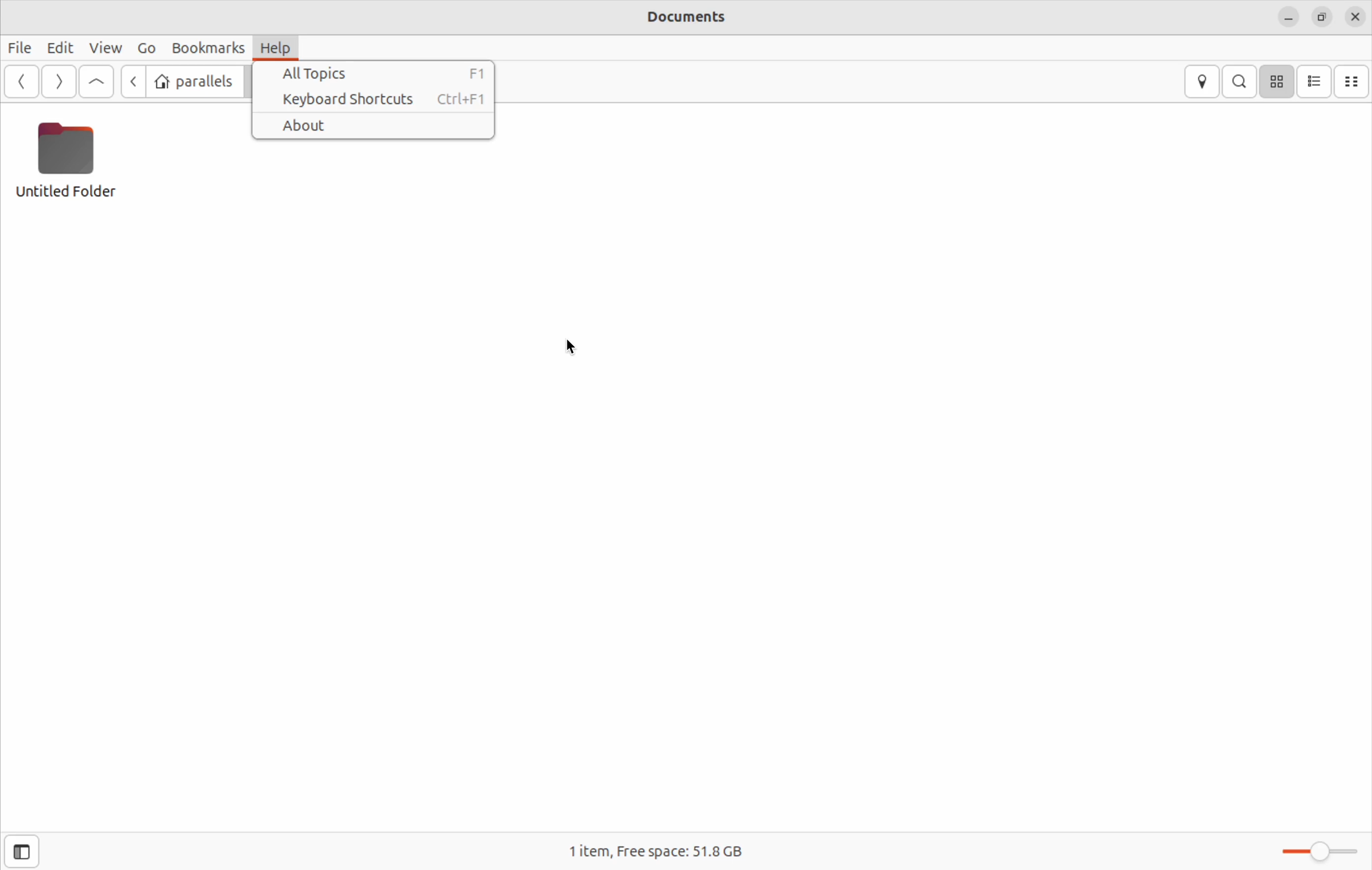  What do you see at coordinates (383, 100) in the screenshot?
I see `keyboards` at bounding box center [383, 100].